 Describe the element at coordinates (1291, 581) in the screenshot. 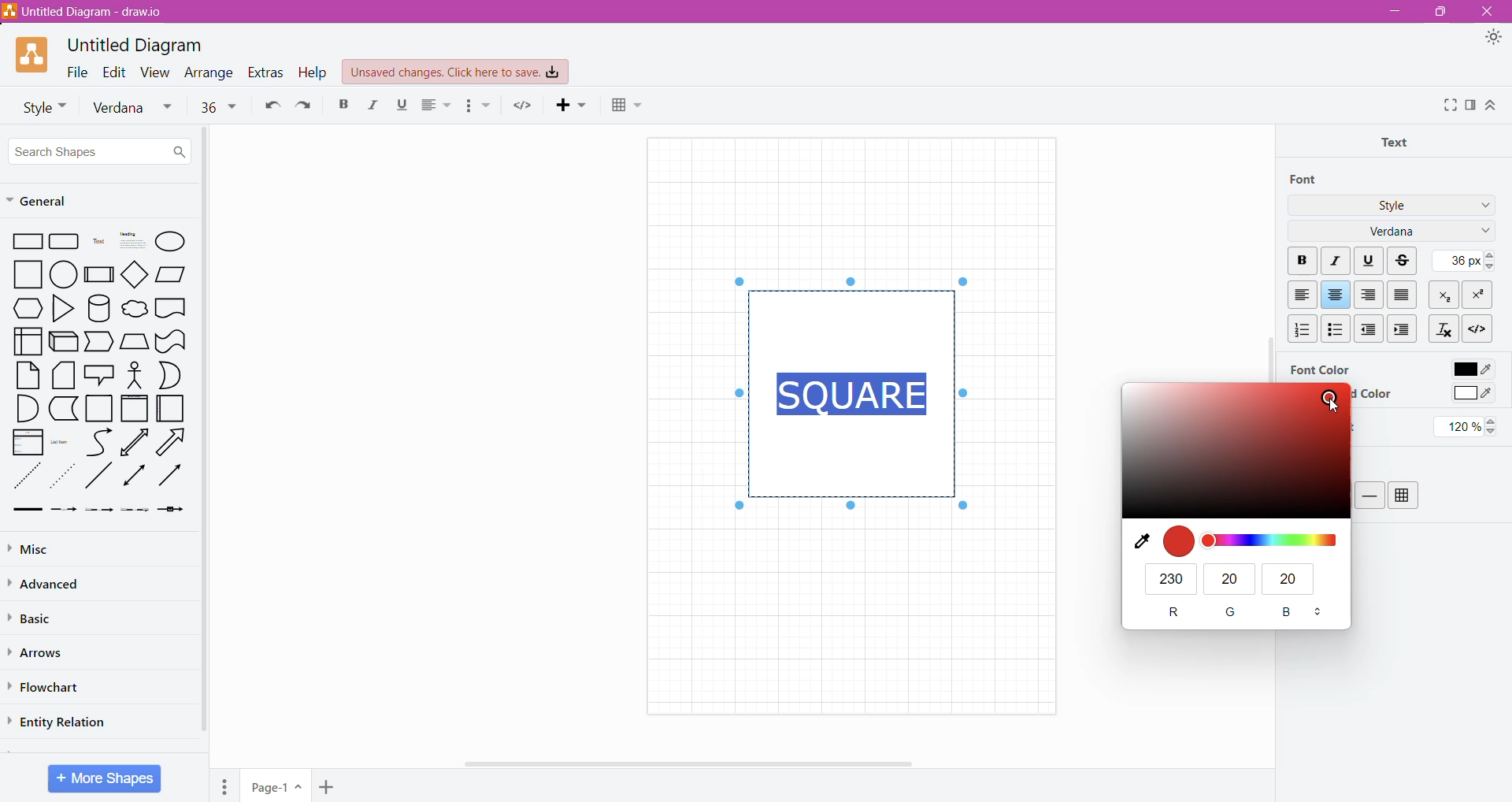

I see `20` at that location.